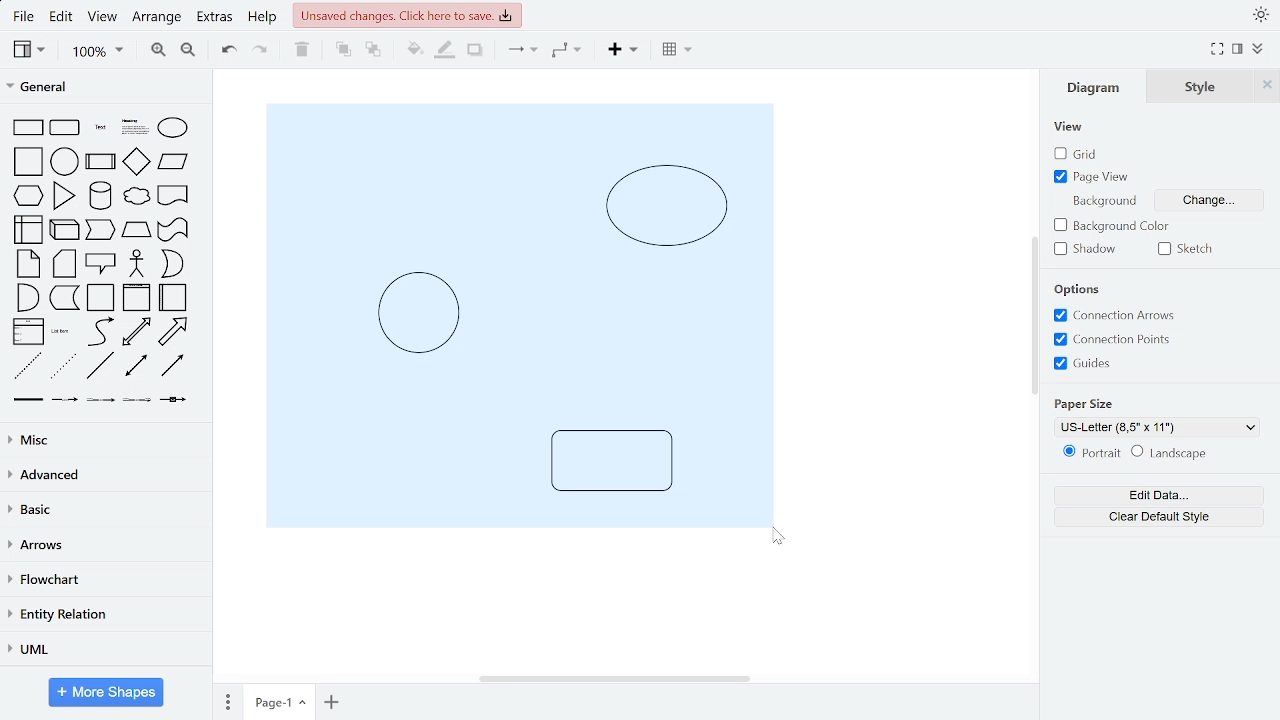  I want to click on portrait, so click(1088, 453).